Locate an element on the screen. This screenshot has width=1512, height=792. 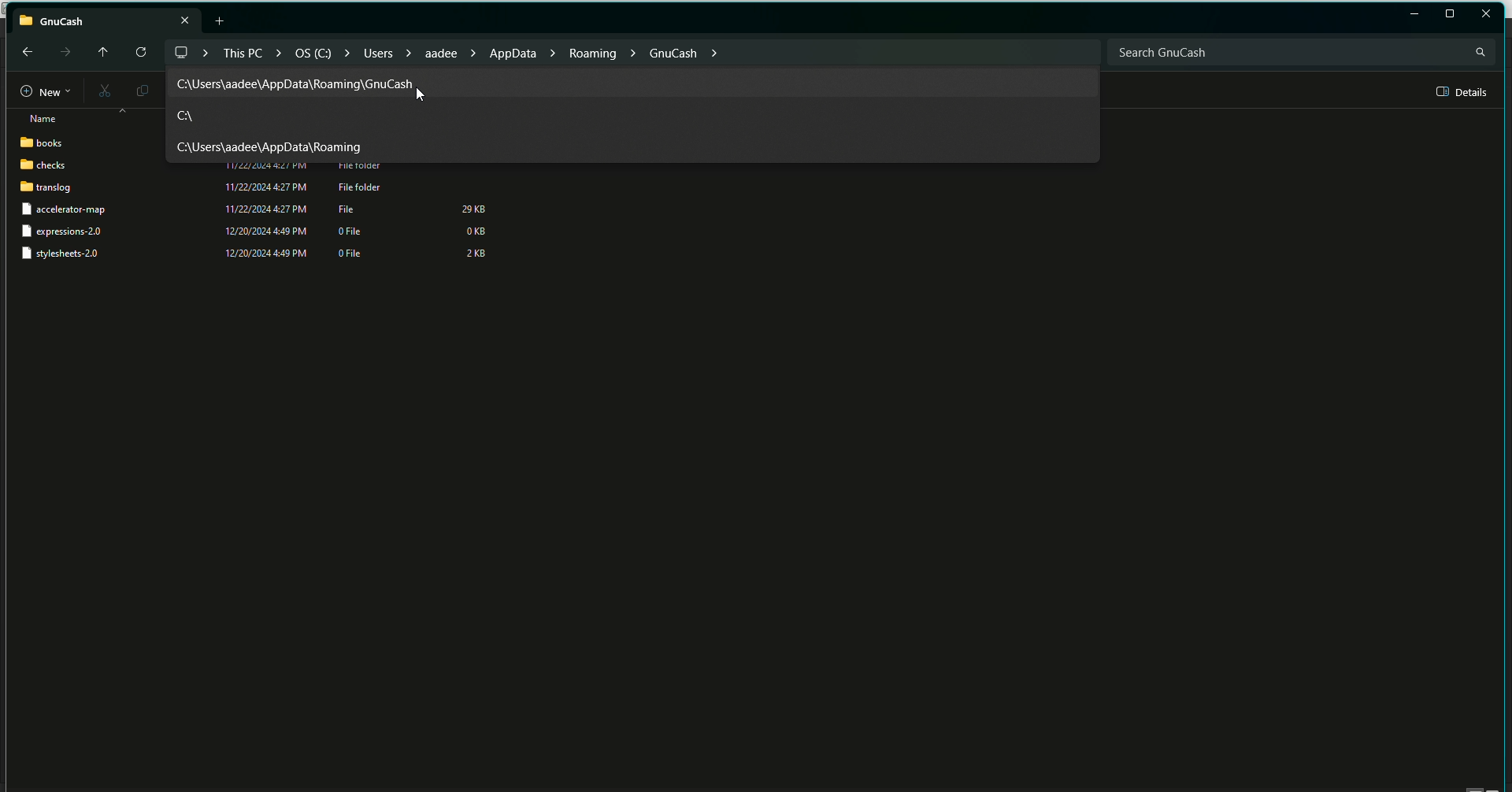
C Drive path is located at coordinates (185, 116).